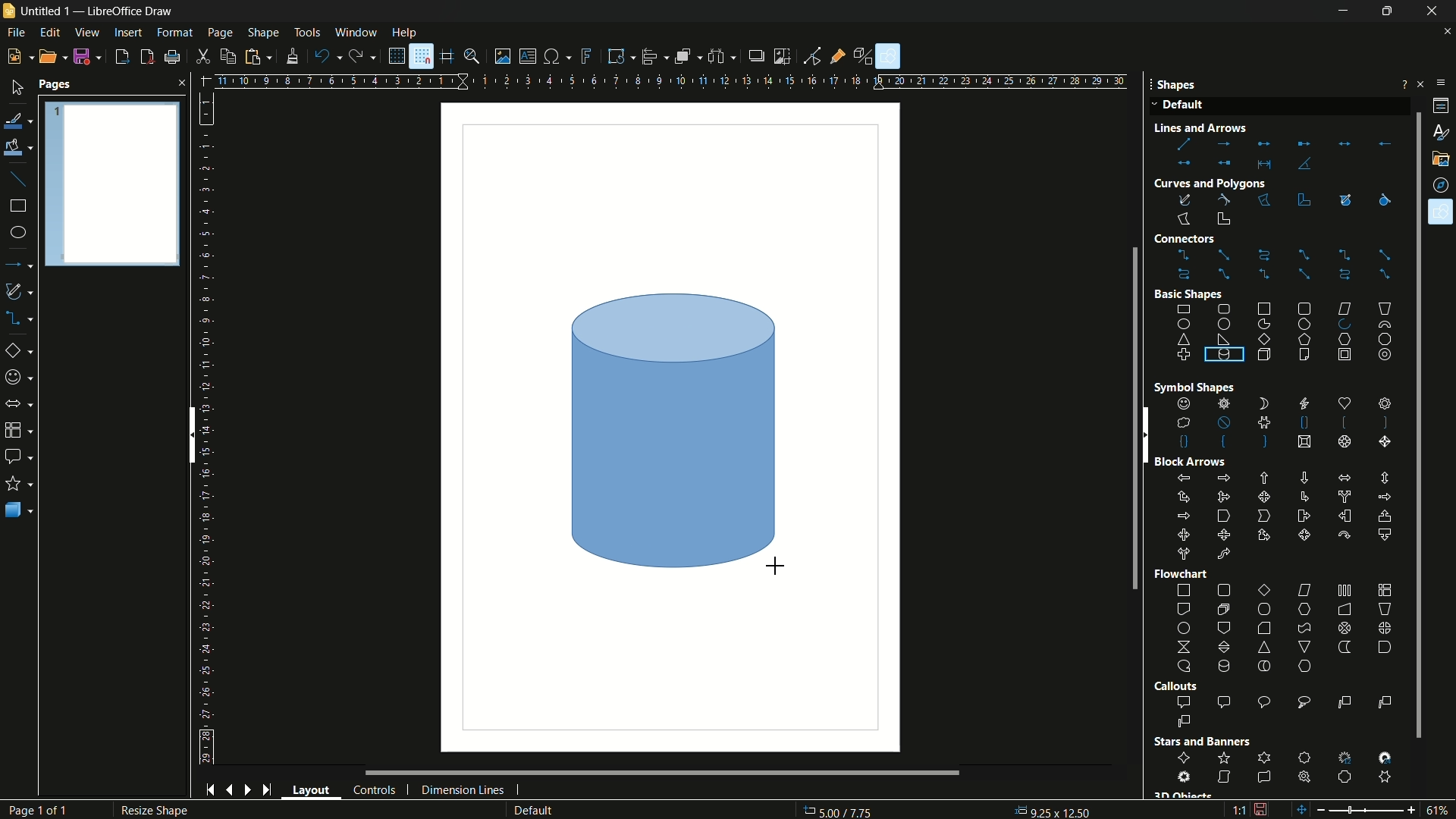 The height and width of the screenshot is (819, 1456). I want to click on fill color, so click(17, 148).